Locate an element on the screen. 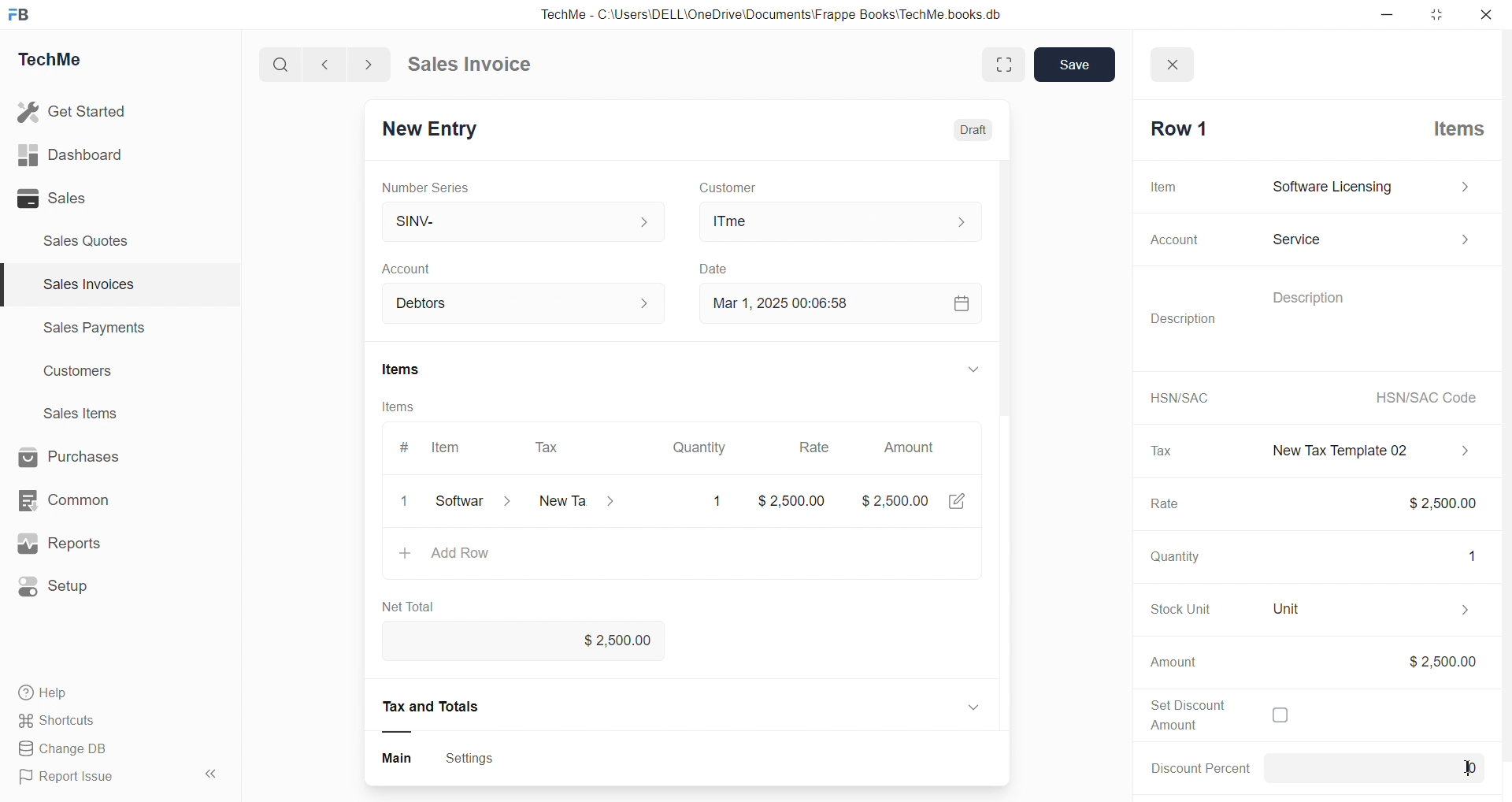  NewTa > is located at coordinates (575, 503).